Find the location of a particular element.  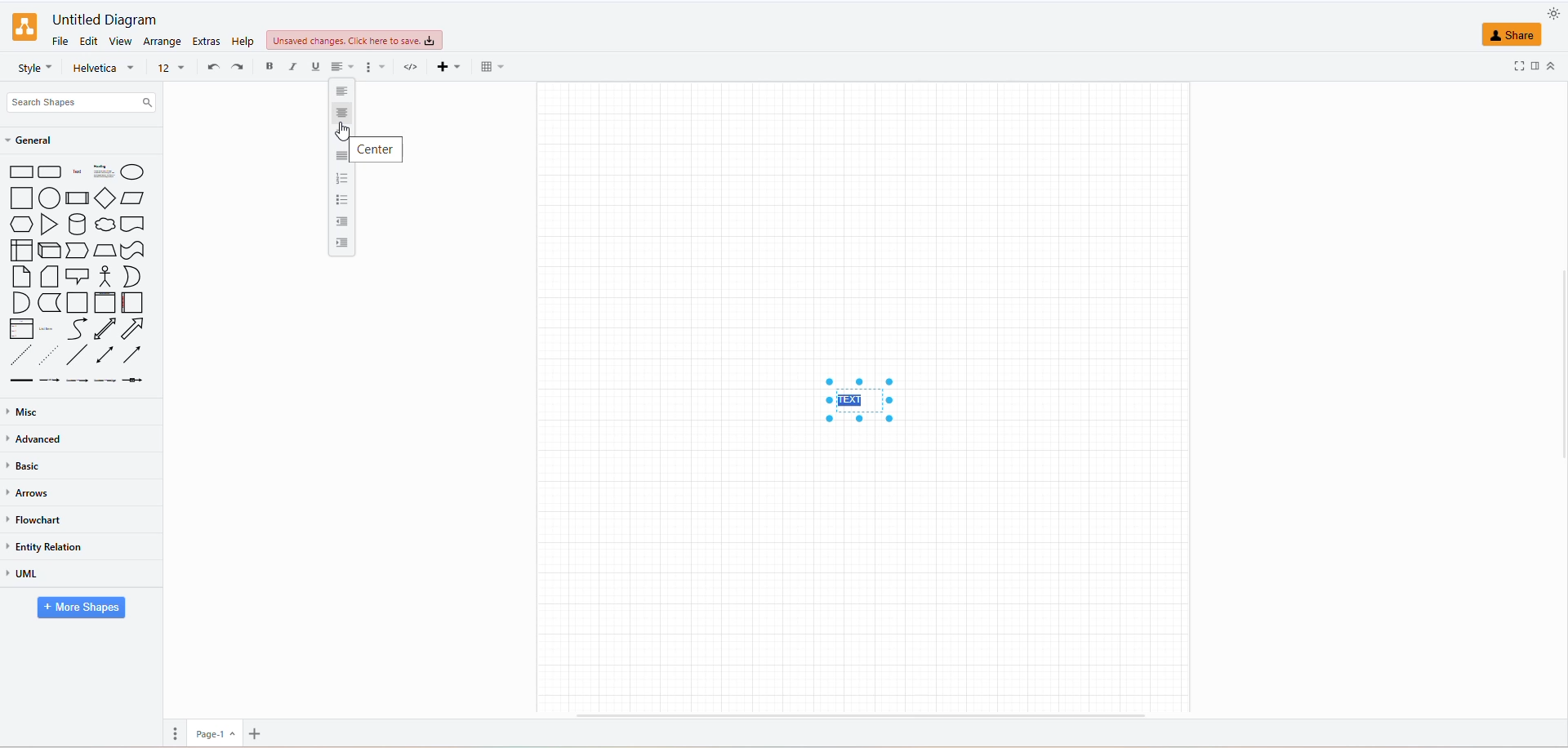

untitled diagram is located at coordinates (100, 20).